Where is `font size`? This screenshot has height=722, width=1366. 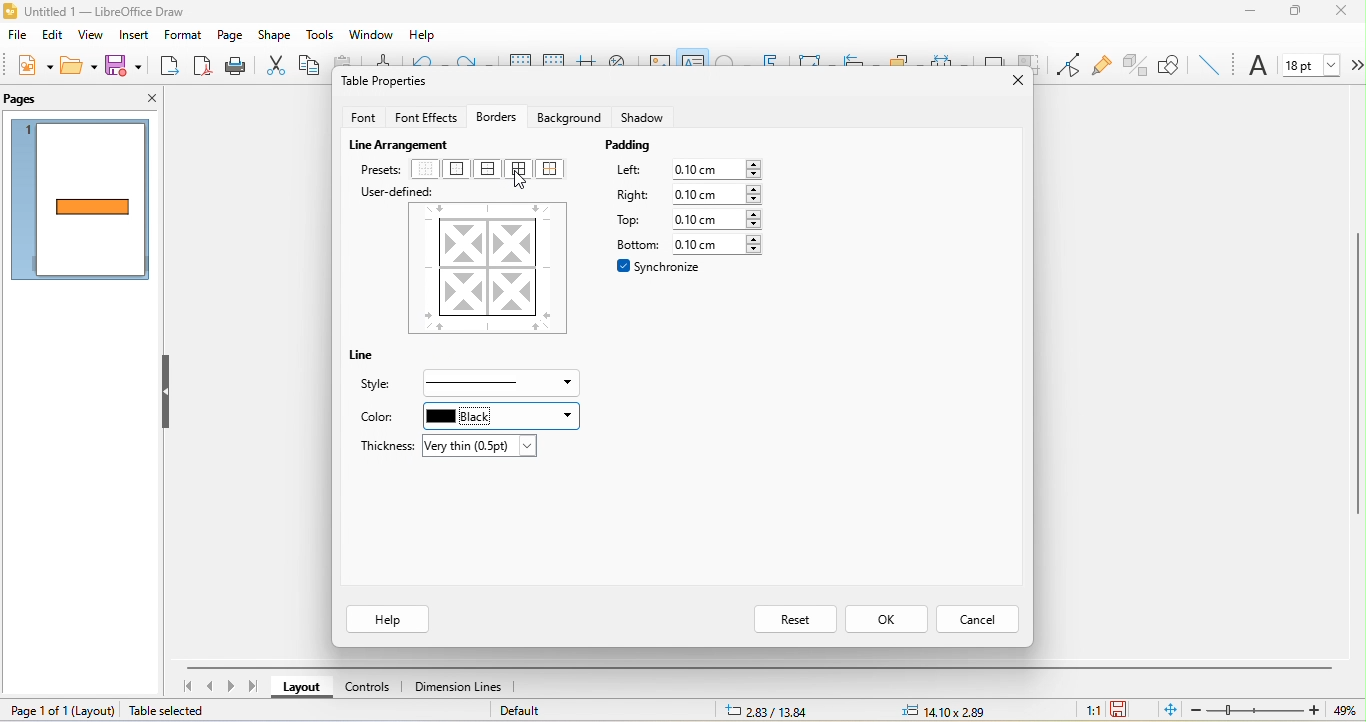
font size is located at coordinates (1312, 64).